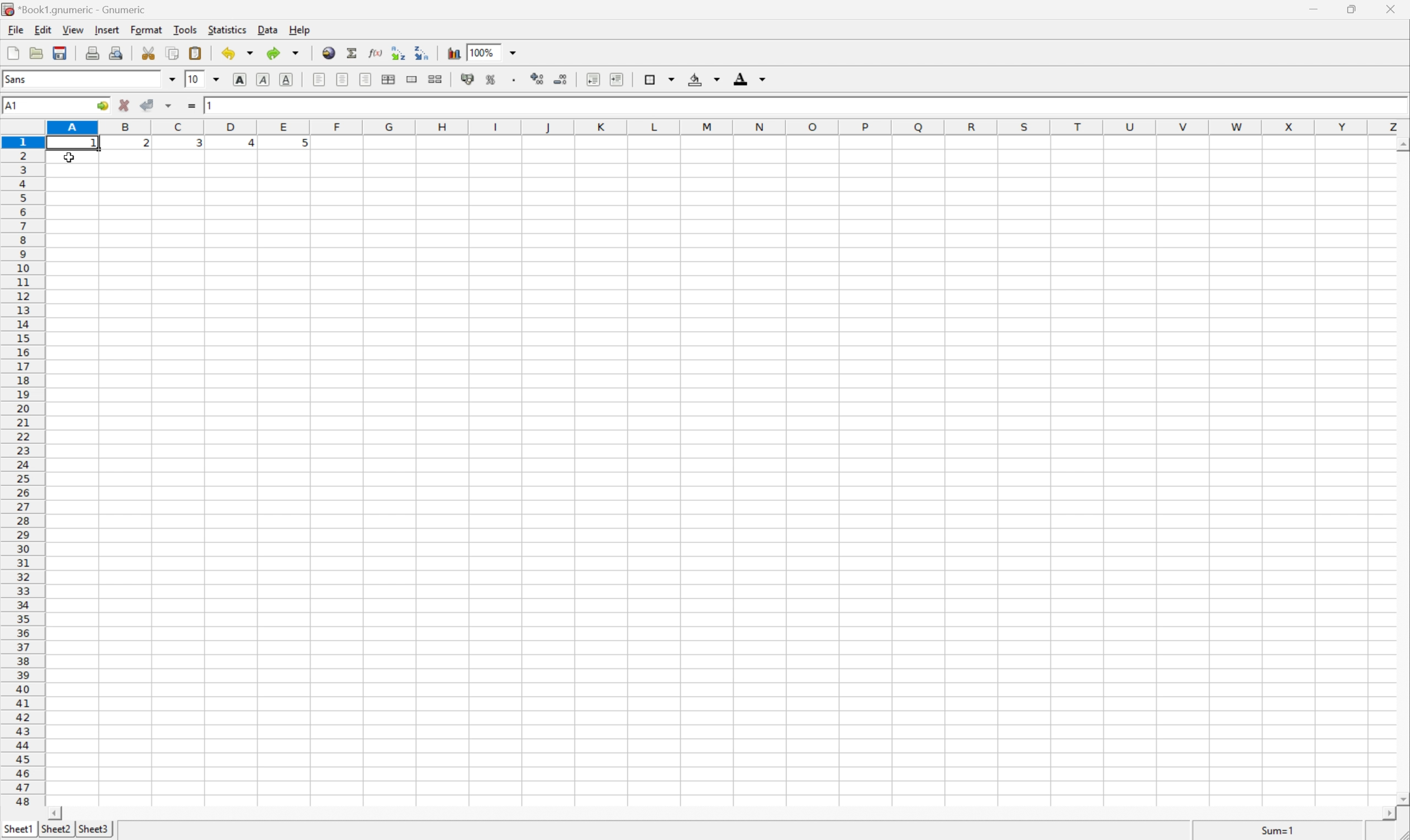  What do you see at coordinates (67, 158) in the screenshot?
I see `cursor` at bounding box center [67, 158].